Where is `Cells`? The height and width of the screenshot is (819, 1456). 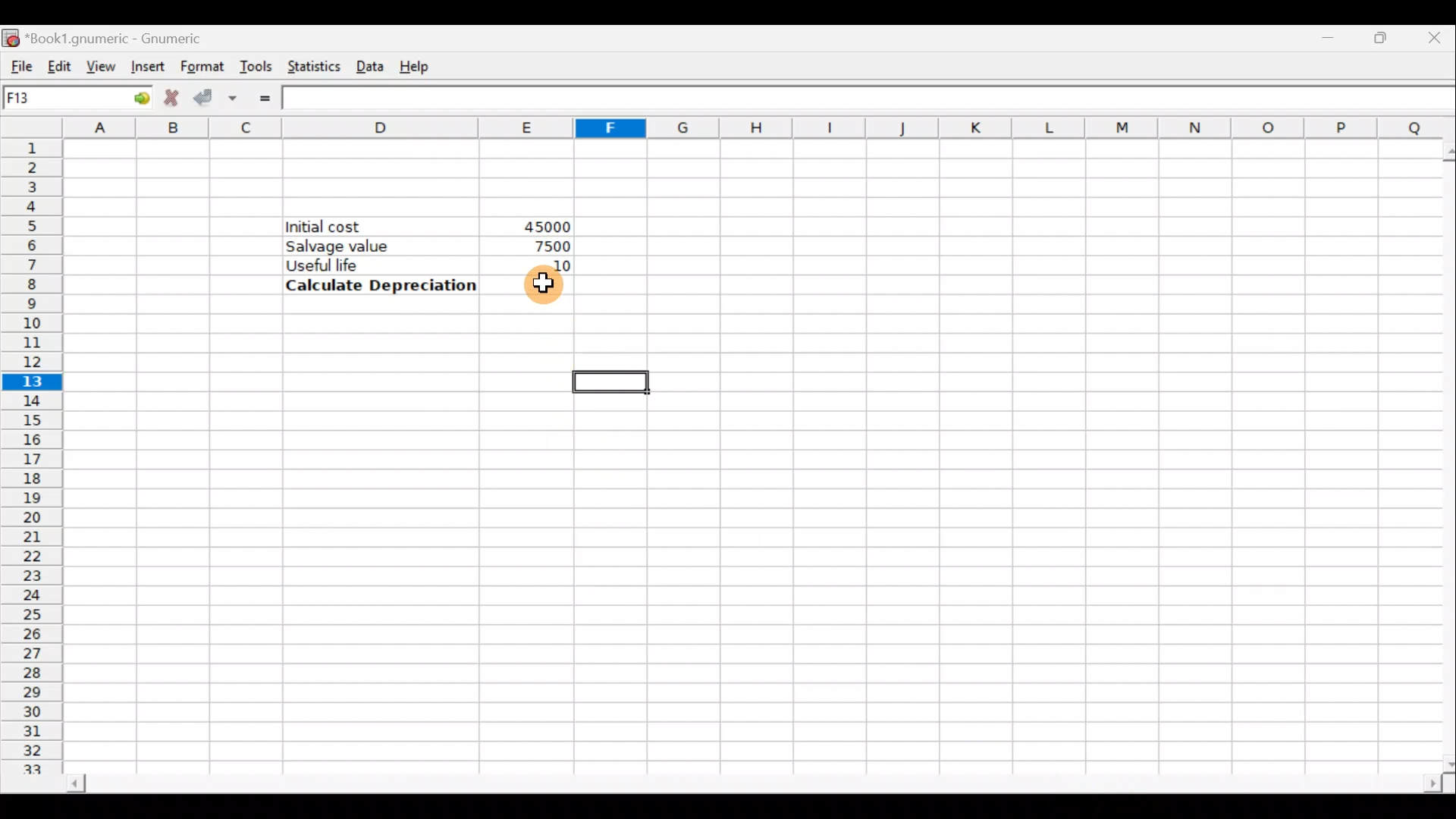
Cells is located at coordinates (747, 538).